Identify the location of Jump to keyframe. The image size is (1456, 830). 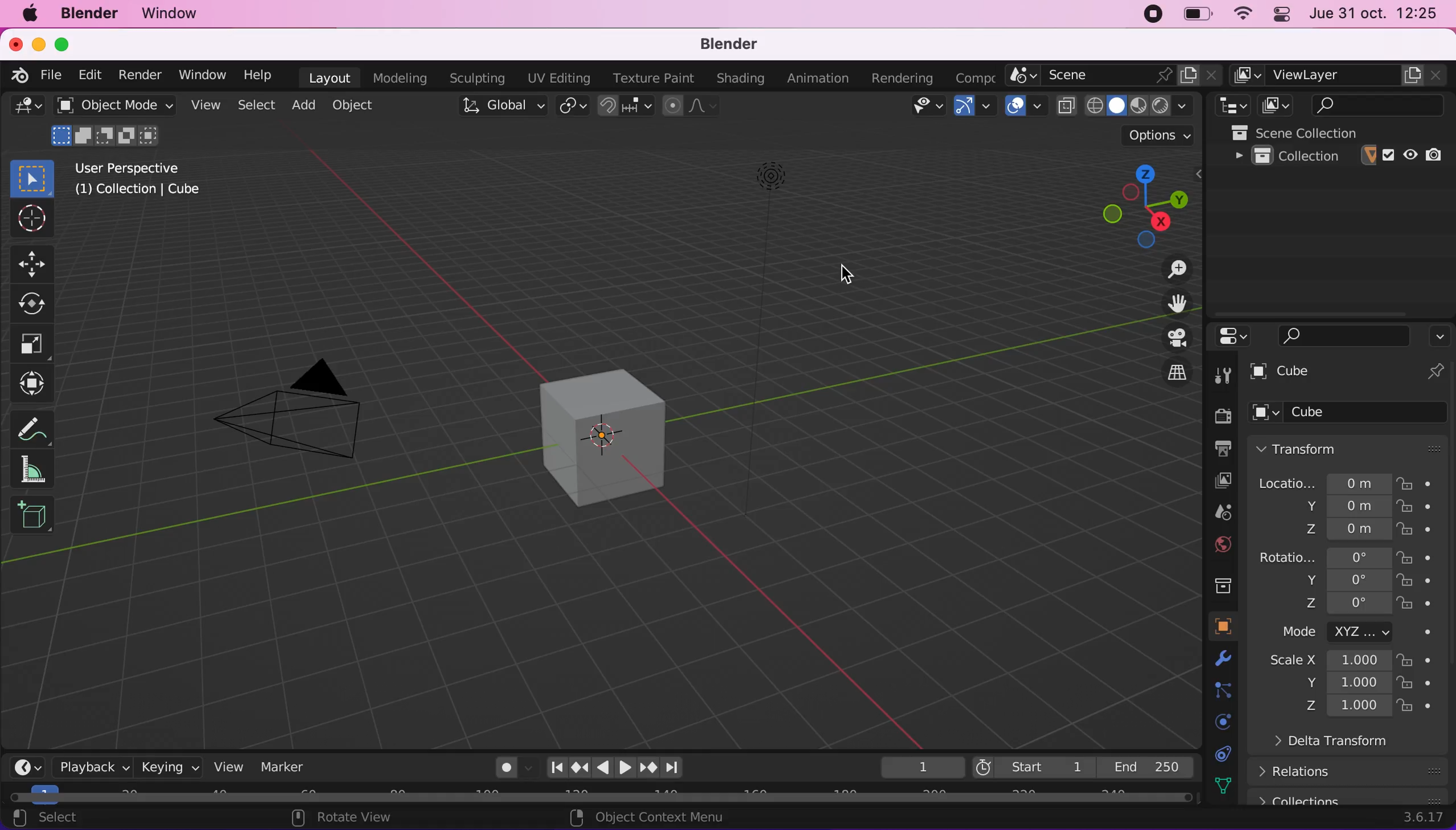
(649, 768).